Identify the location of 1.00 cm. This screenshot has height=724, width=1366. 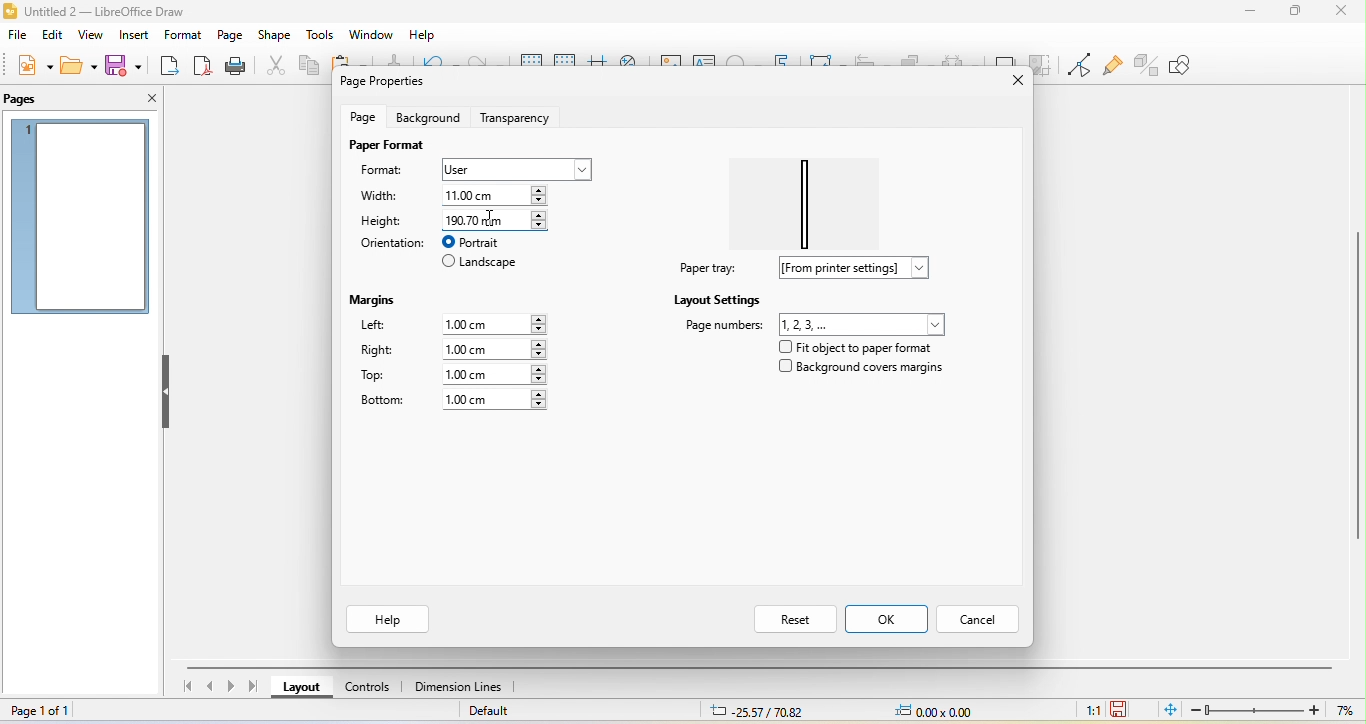
(494, 374).